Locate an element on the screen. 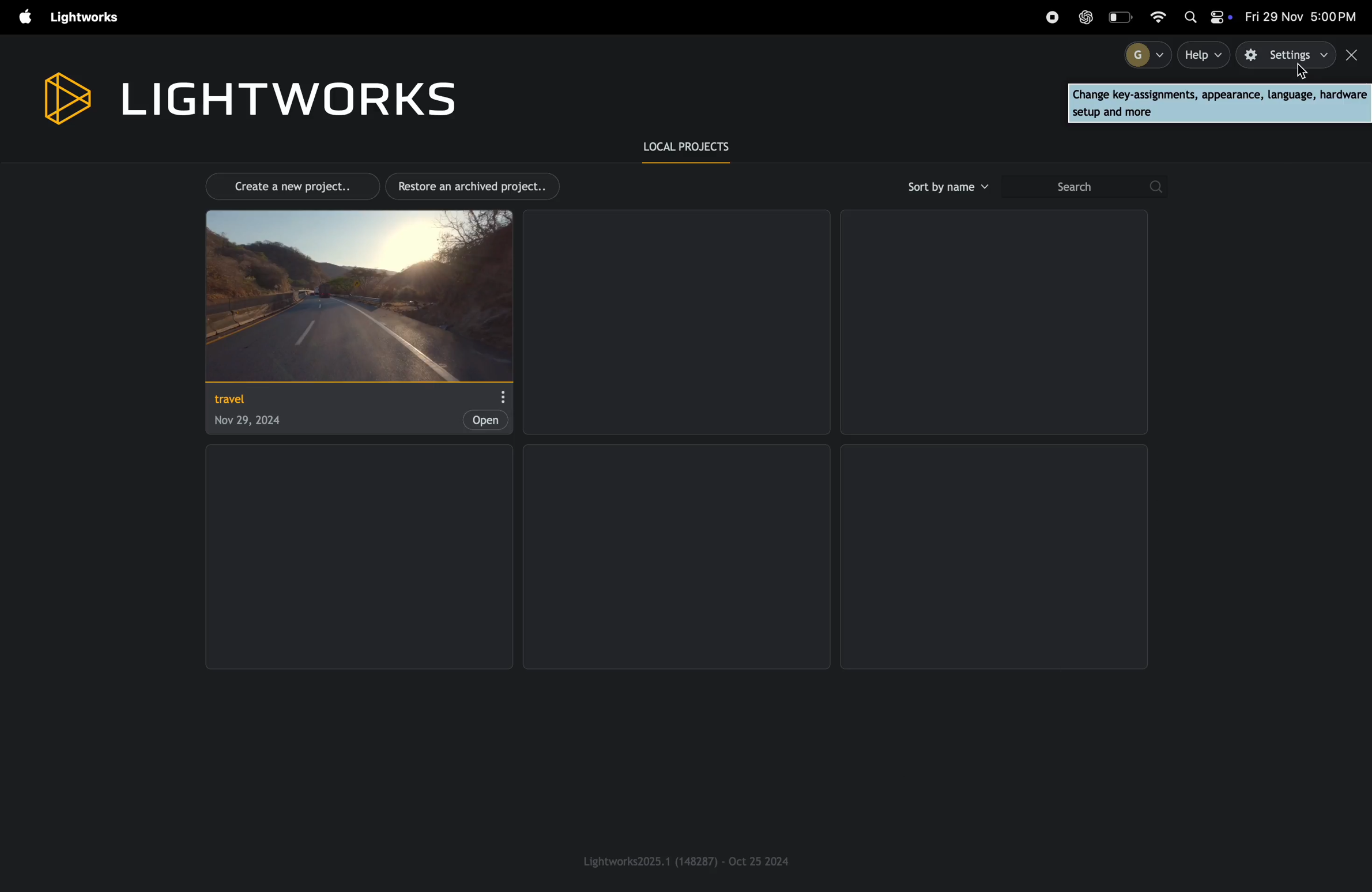  local prroject is located at coordinates (695, 148).